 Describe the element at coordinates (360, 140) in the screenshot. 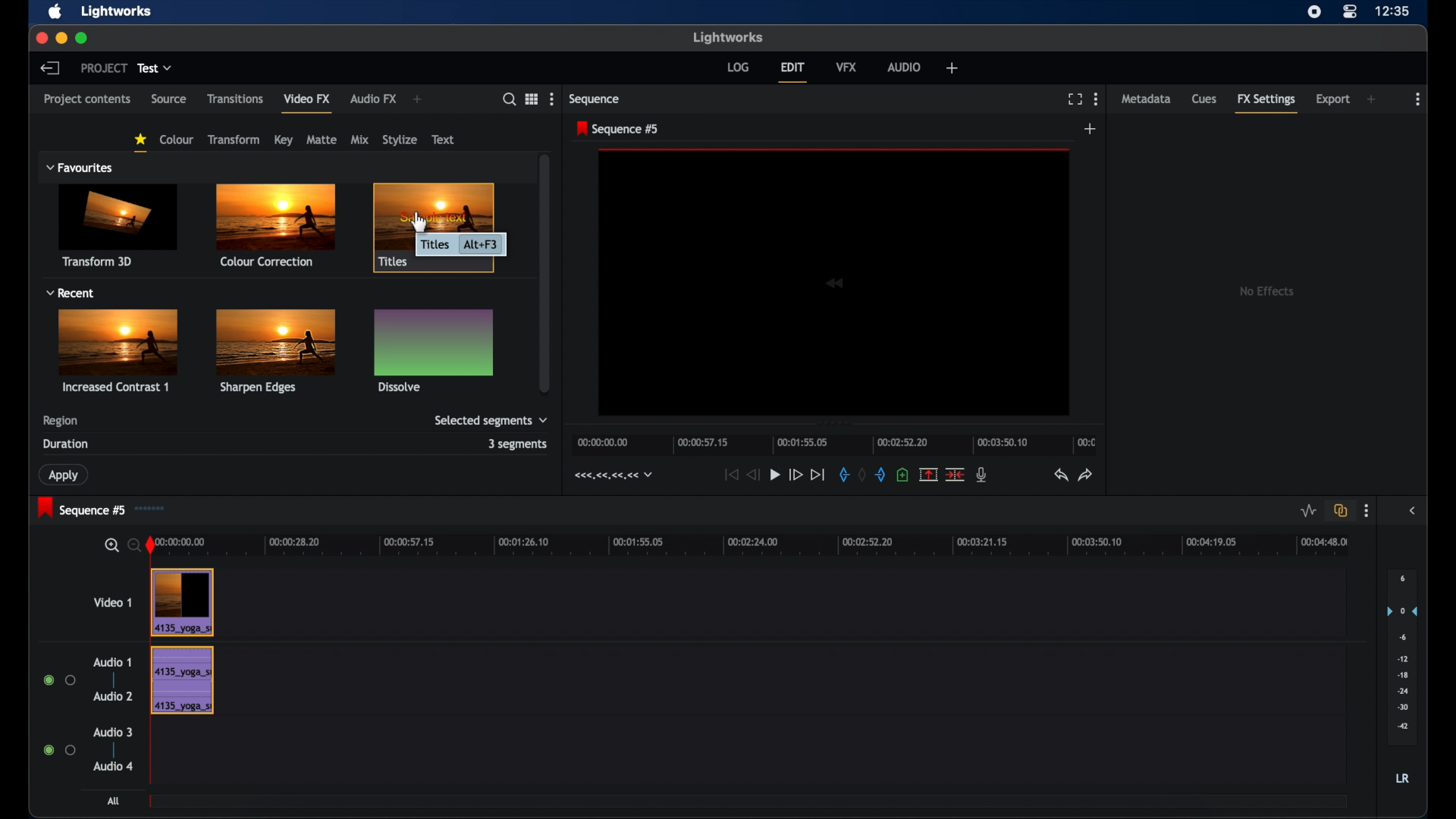

I see `mix` at that location.